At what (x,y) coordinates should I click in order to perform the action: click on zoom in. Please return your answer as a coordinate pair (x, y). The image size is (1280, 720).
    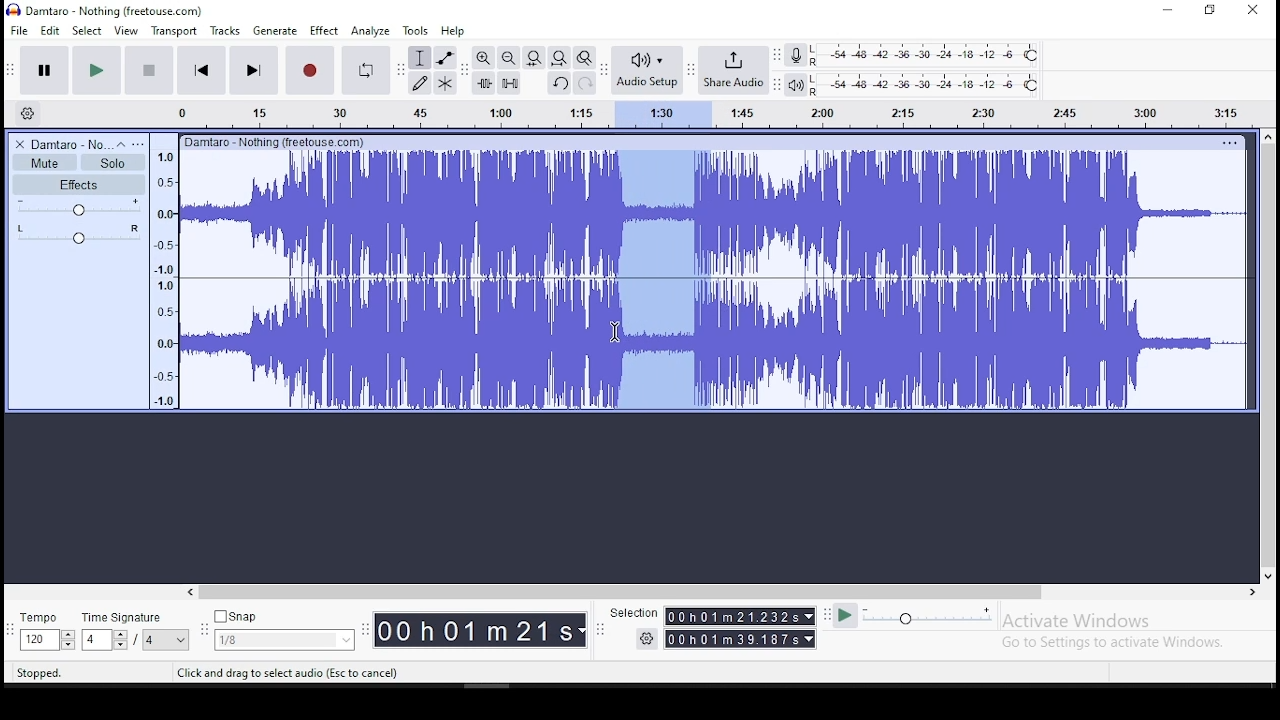
    Looking at the image, I should click on (484, 57).